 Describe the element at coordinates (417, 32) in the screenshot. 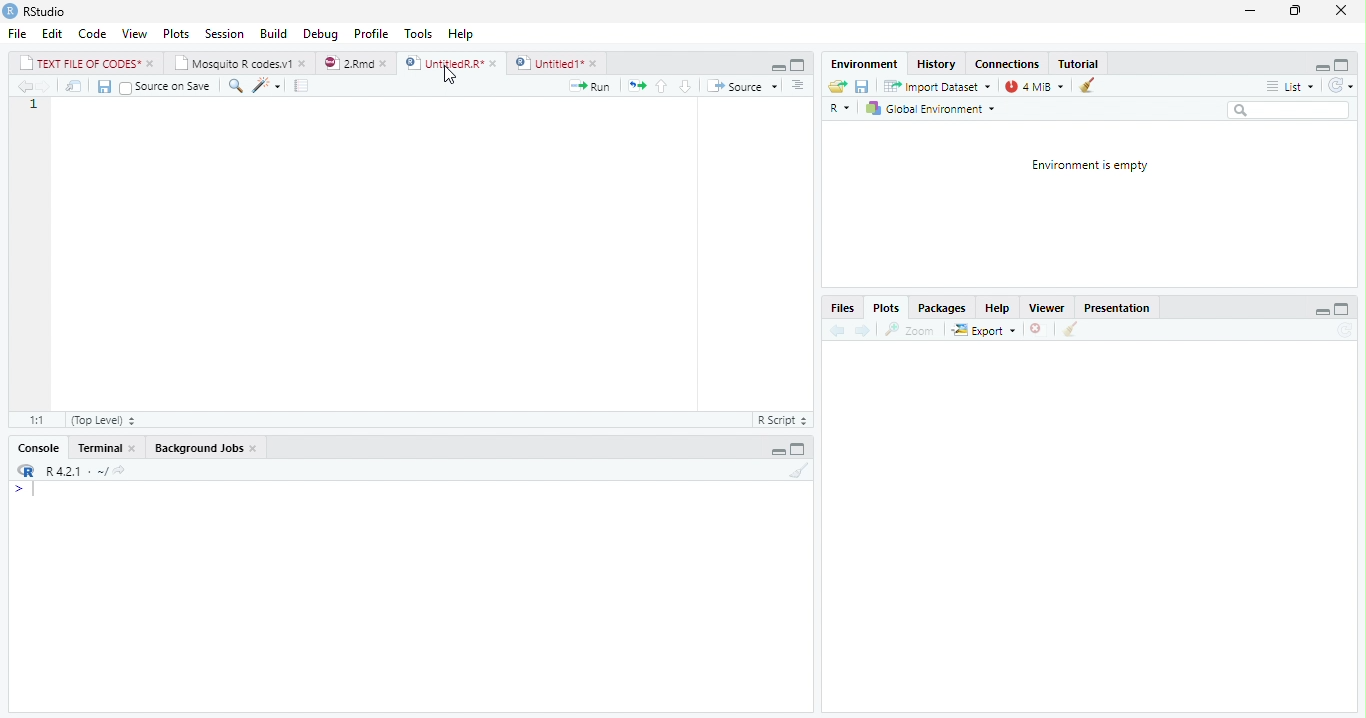

I see `Tools` at that location.